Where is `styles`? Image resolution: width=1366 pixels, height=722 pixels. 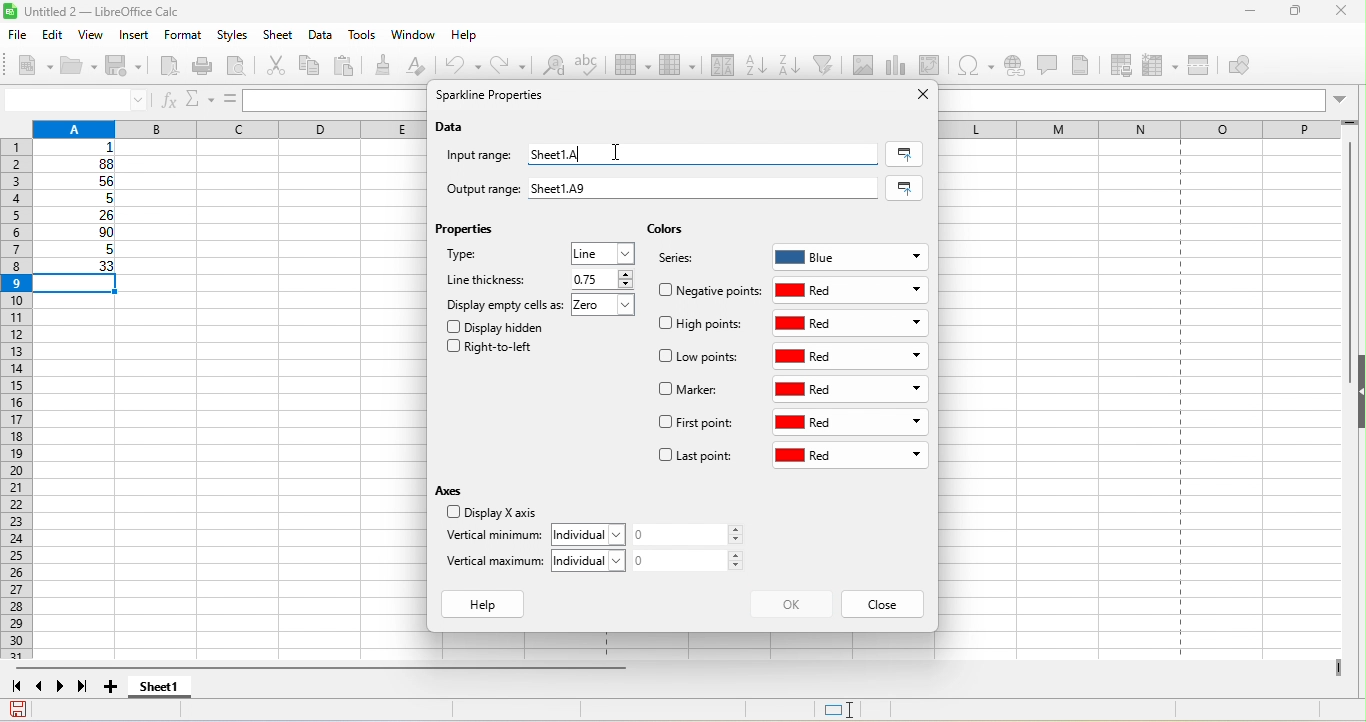 styles is located at coordinates (234, 36).